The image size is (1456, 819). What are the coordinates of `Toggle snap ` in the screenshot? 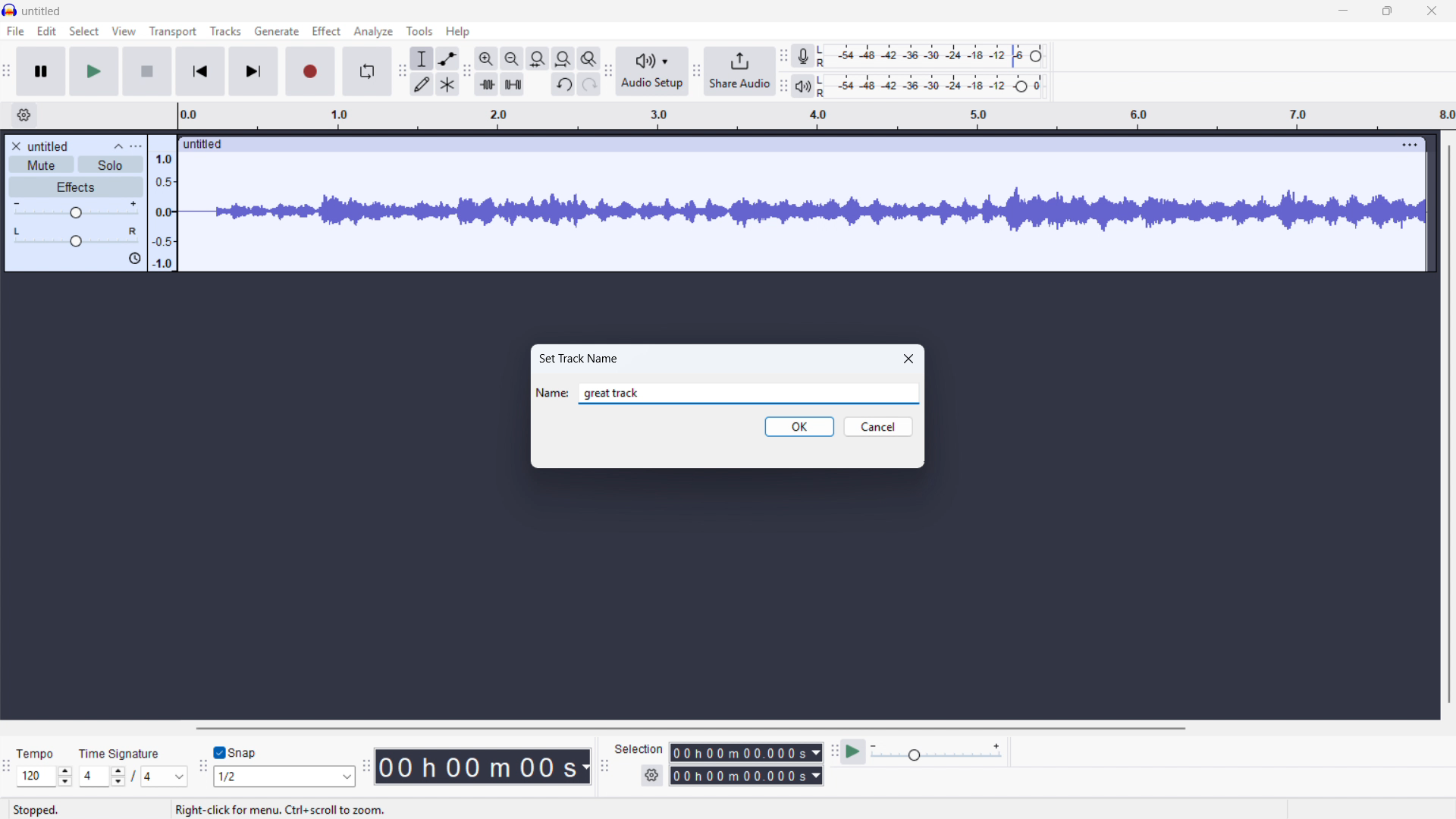 It's located at (236, 752).